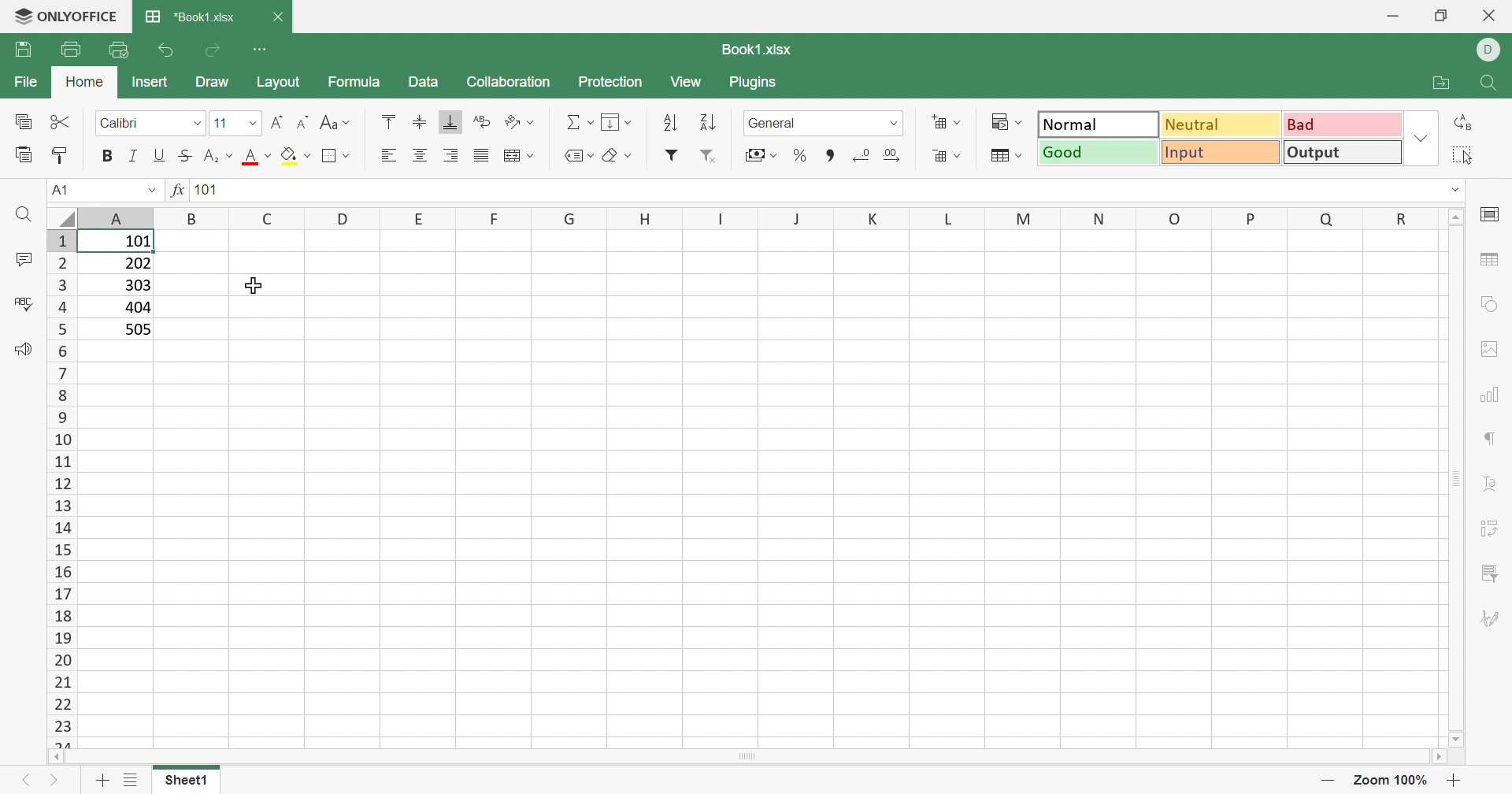 This screenshot has width=1512, height=794. Describe the element at coordinates (22, 302) in the screenshot. I see `Spell checking` at that location.